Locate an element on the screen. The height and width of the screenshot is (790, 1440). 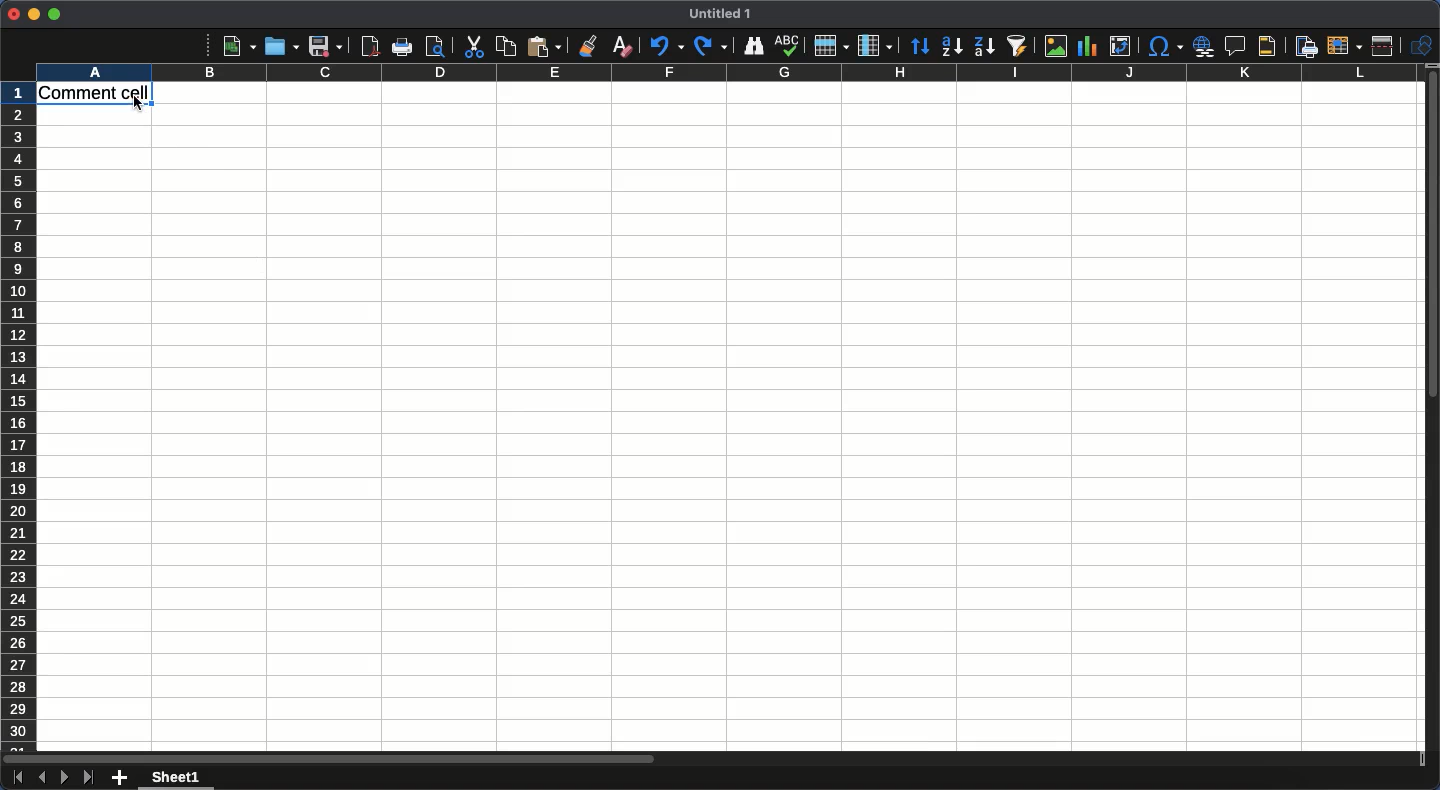
Title is located at coordinates (722, 14).